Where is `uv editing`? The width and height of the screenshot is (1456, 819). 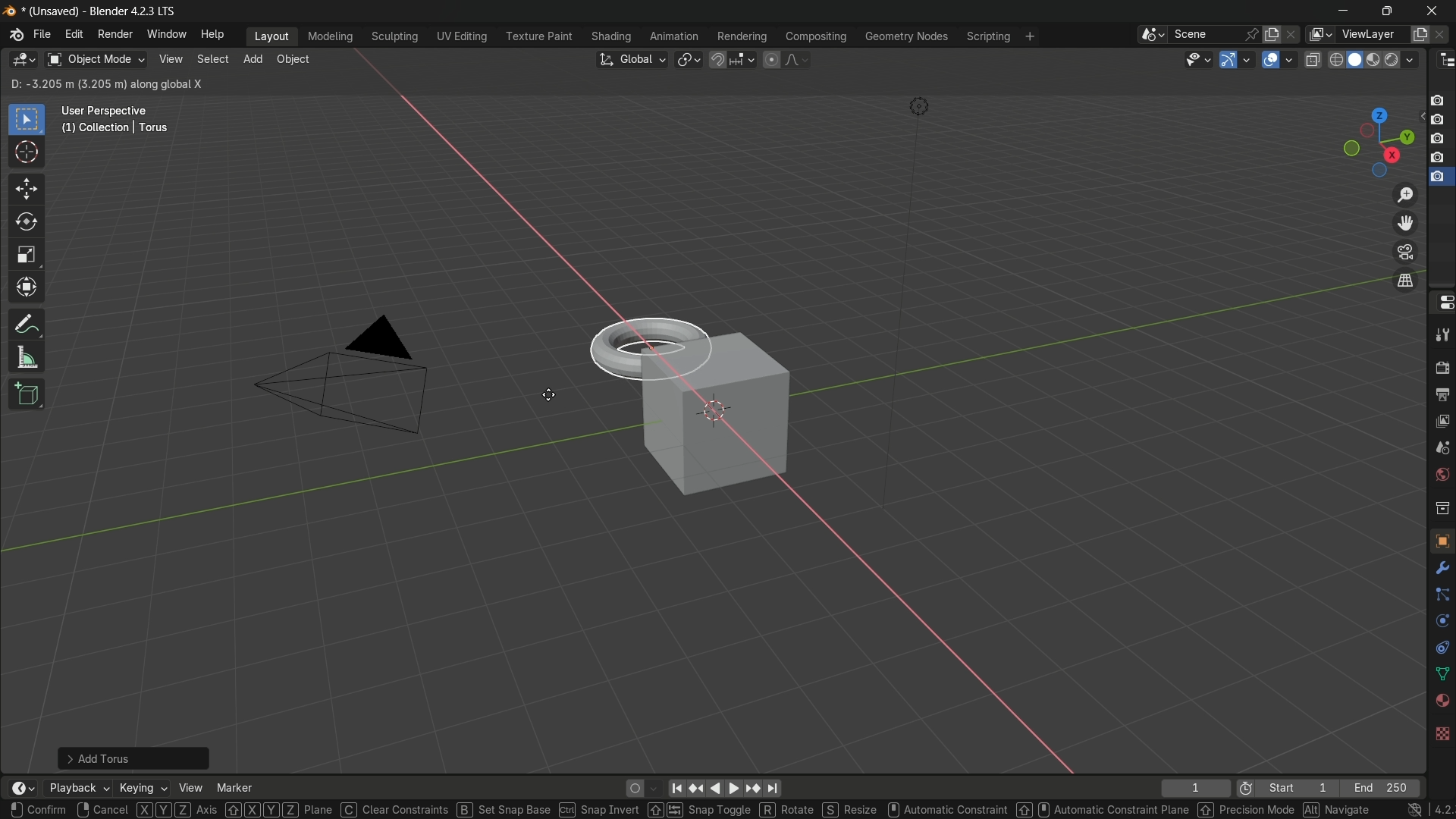
uv editing is located at coordinates (461, 36).